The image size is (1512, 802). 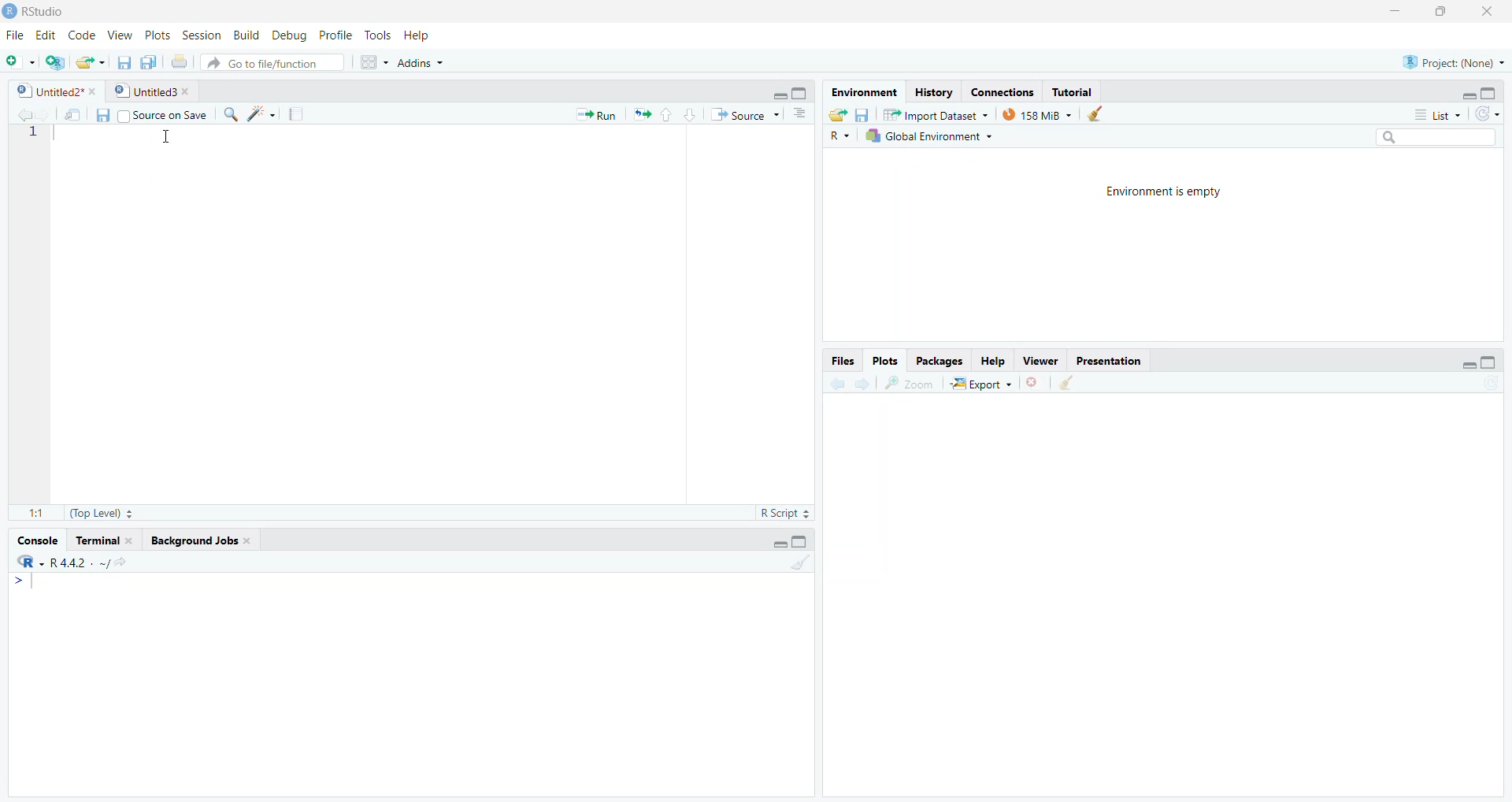 What do you see at coordinates (995, 362) in the screenshot?
I see `Help` at bounding box center [995, 362].